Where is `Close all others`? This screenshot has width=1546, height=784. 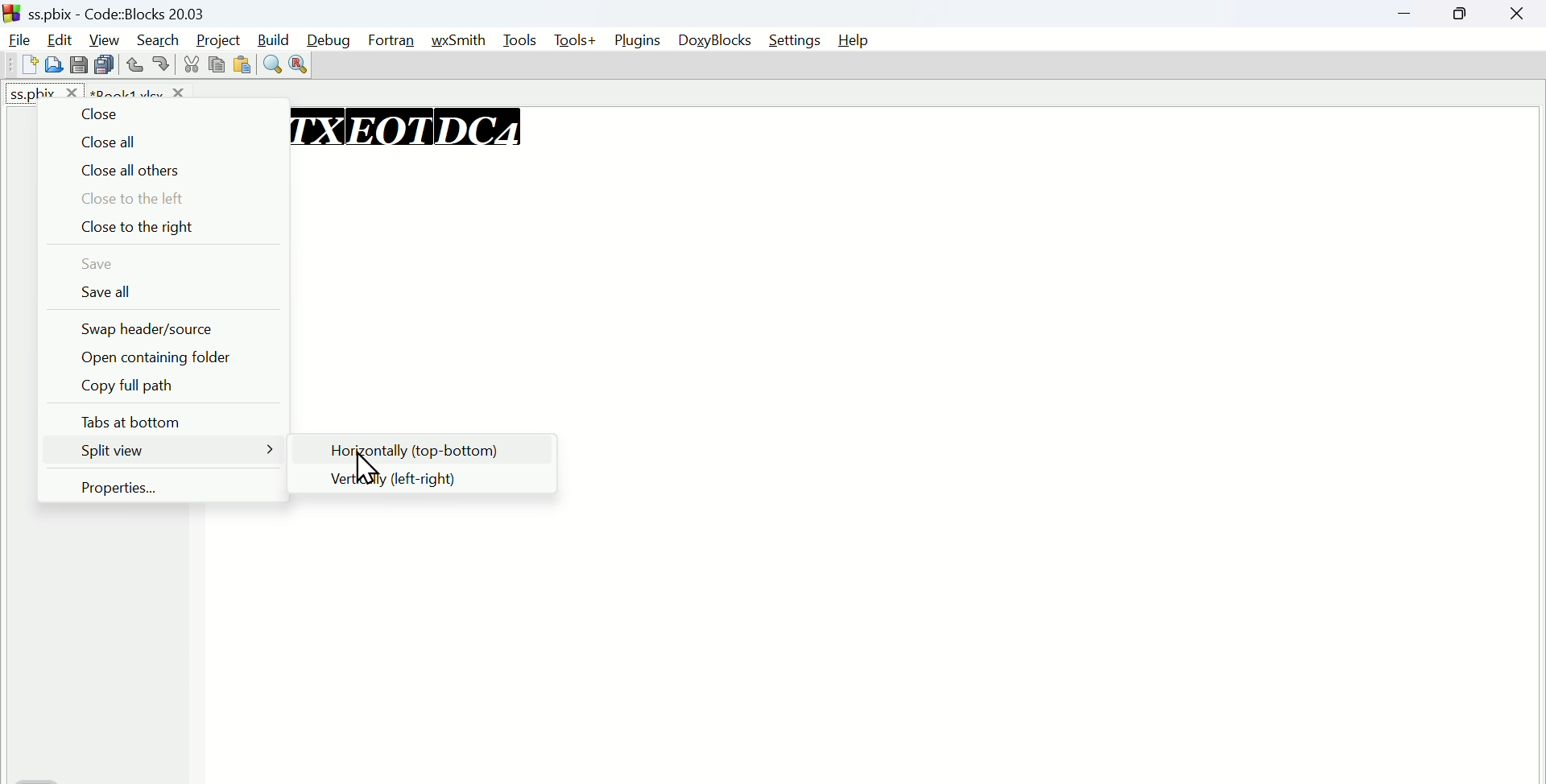 Close all others is located at coordinates (162, 171).